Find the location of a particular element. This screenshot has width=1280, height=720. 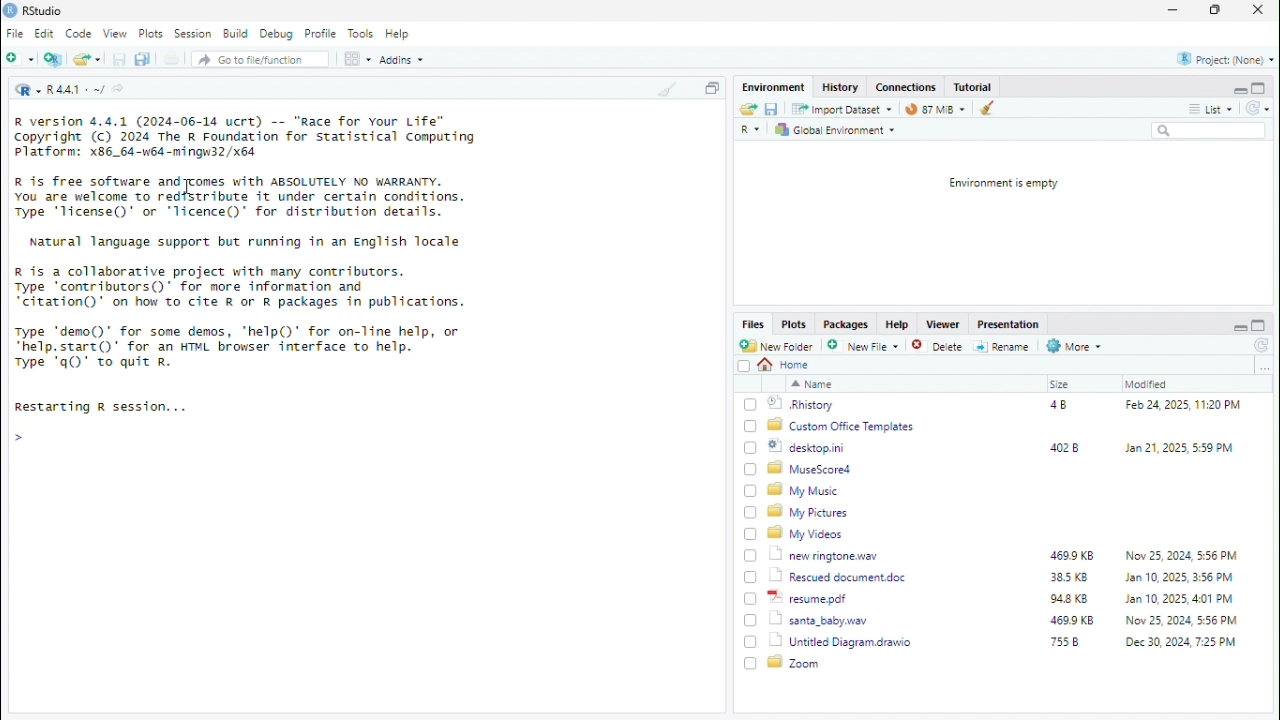

Build is located at coordinates (237, 34).